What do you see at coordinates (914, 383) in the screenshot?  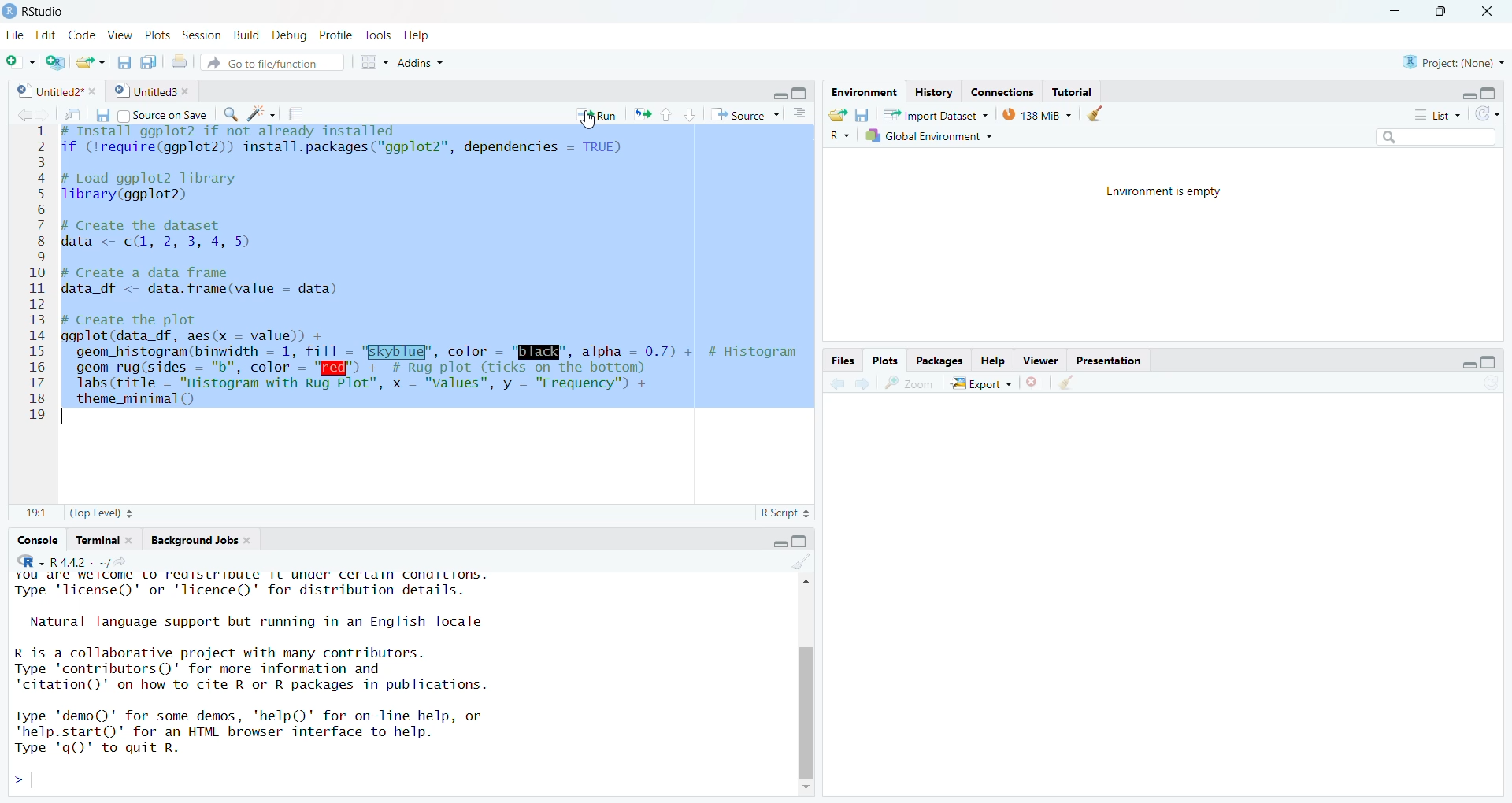 I see `Zoom` at bounding box center [914, 383].